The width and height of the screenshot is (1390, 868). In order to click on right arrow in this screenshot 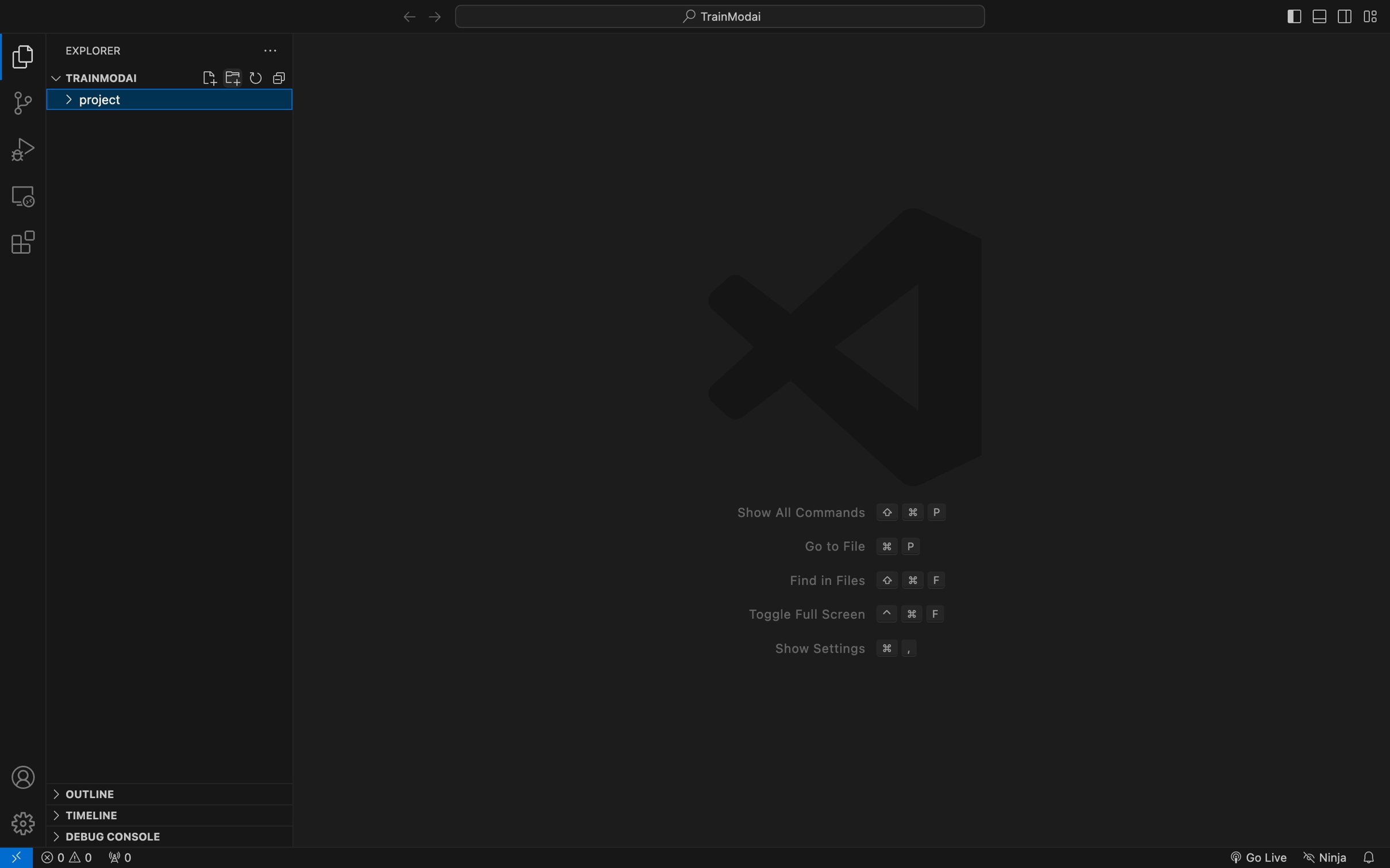, I will do `click(404, 15)`.